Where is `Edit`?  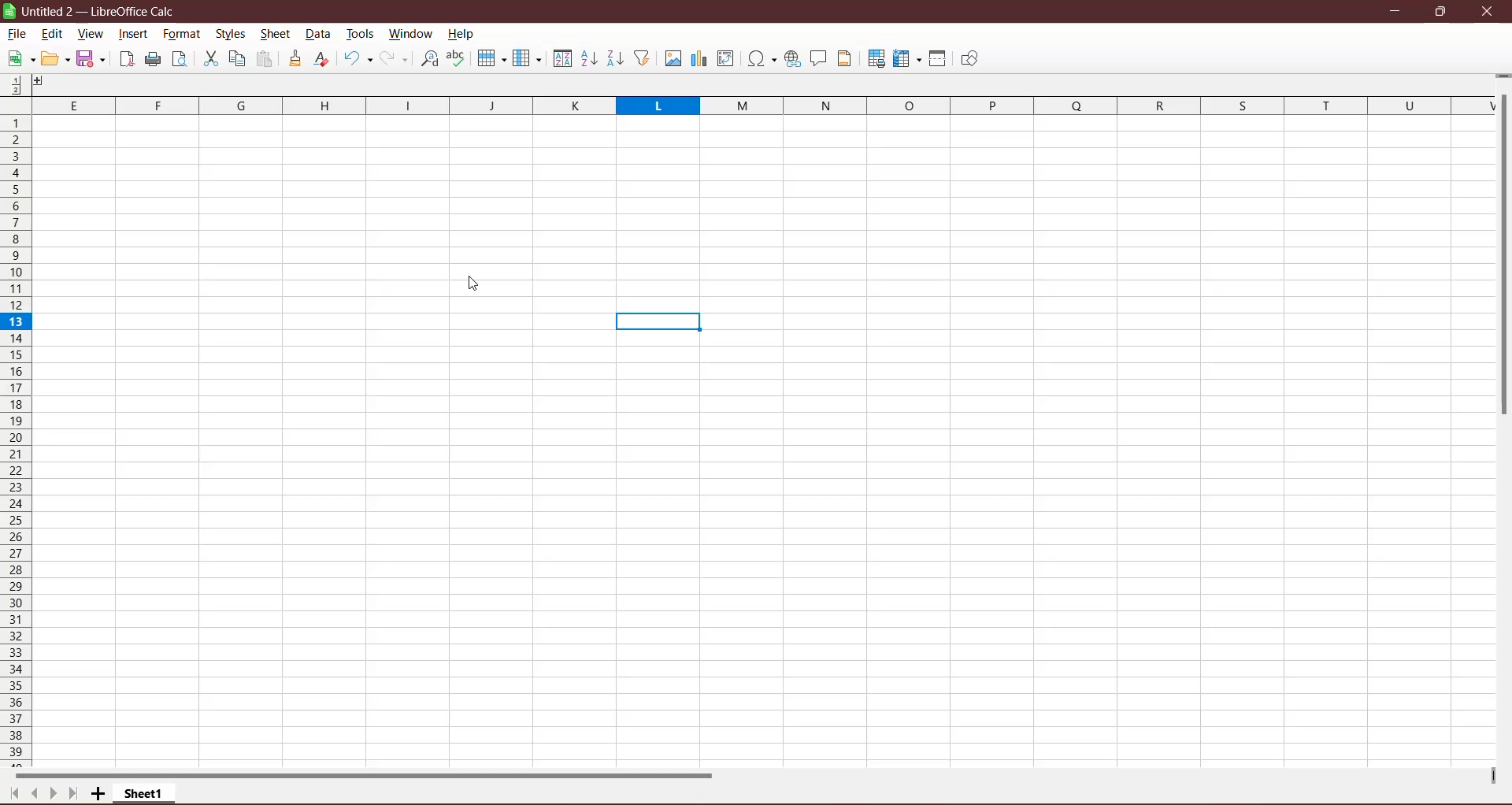 Edit is located at coordinates (53, 35).